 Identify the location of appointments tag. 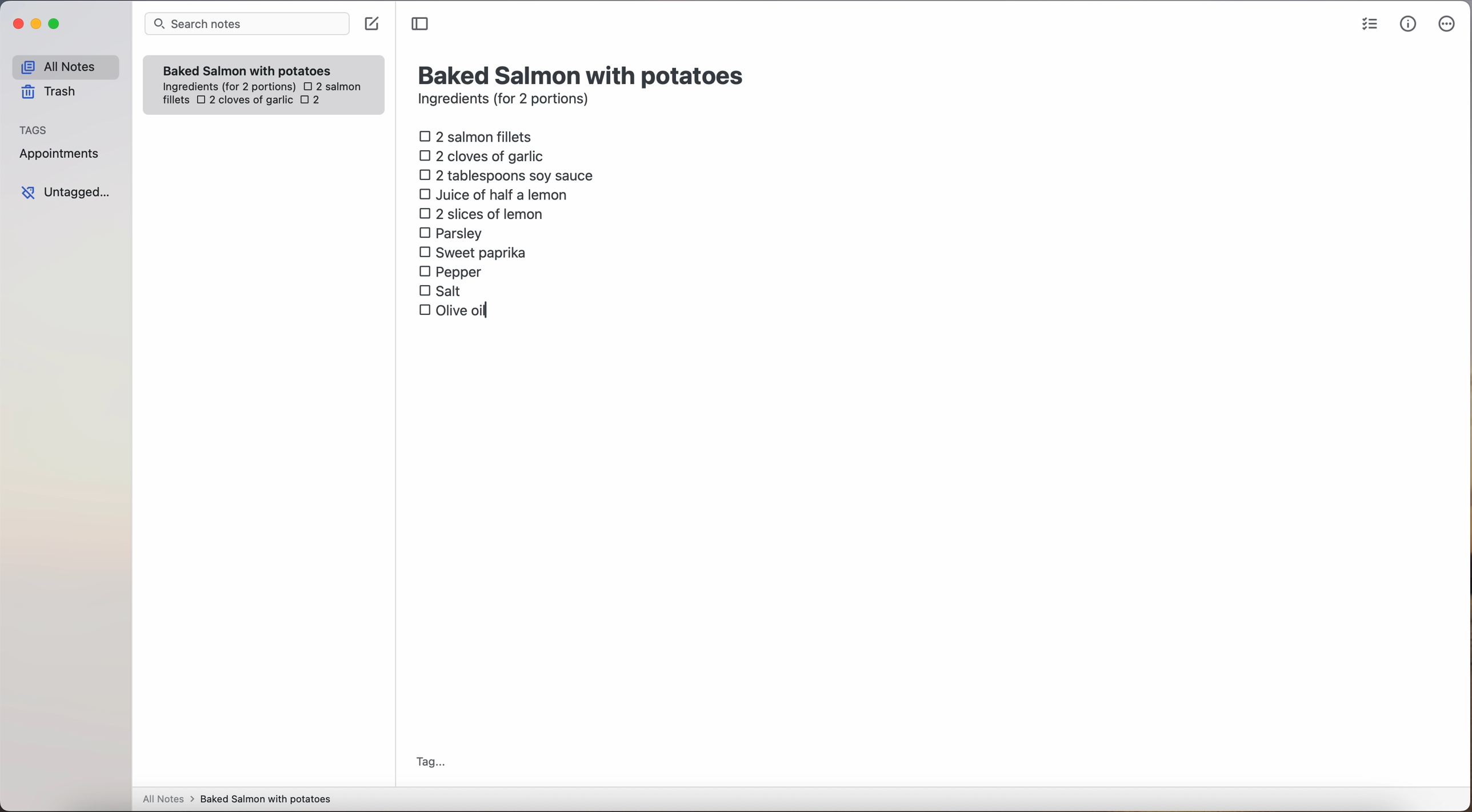
(61, 151).